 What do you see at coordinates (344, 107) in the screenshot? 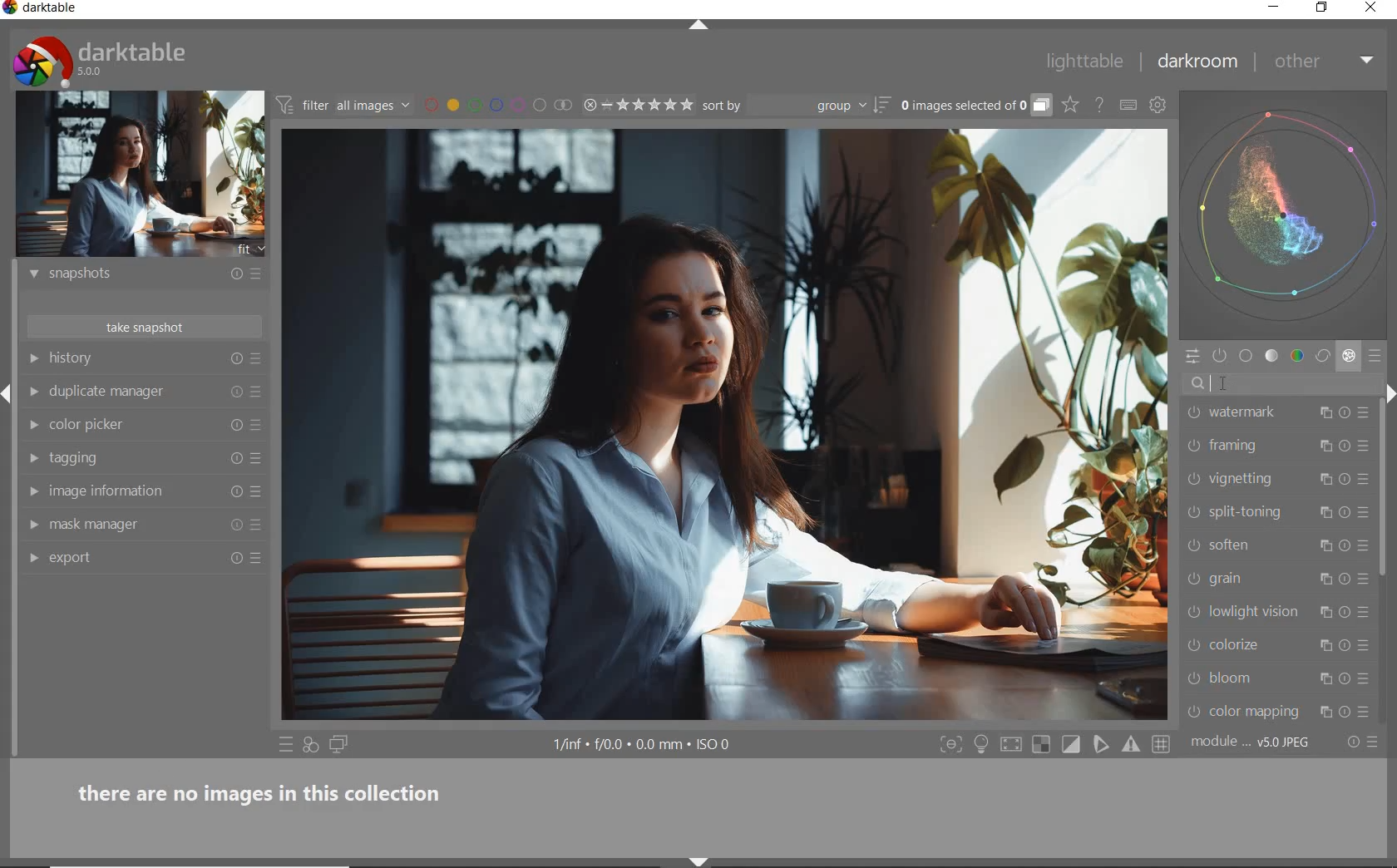
I see `filter images based on their module order` at bounding box center [344, 107].